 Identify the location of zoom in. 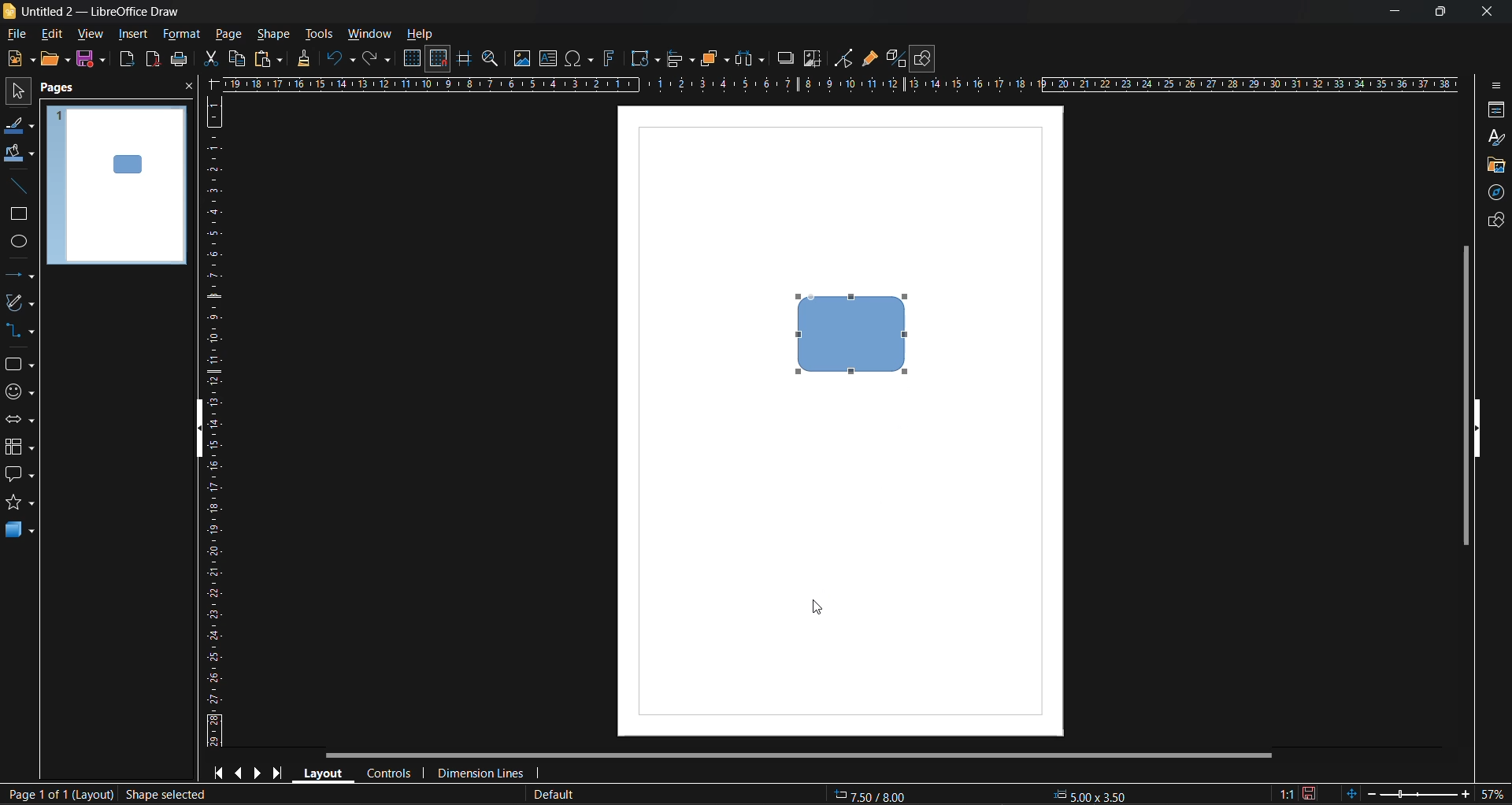
(1465, 796).